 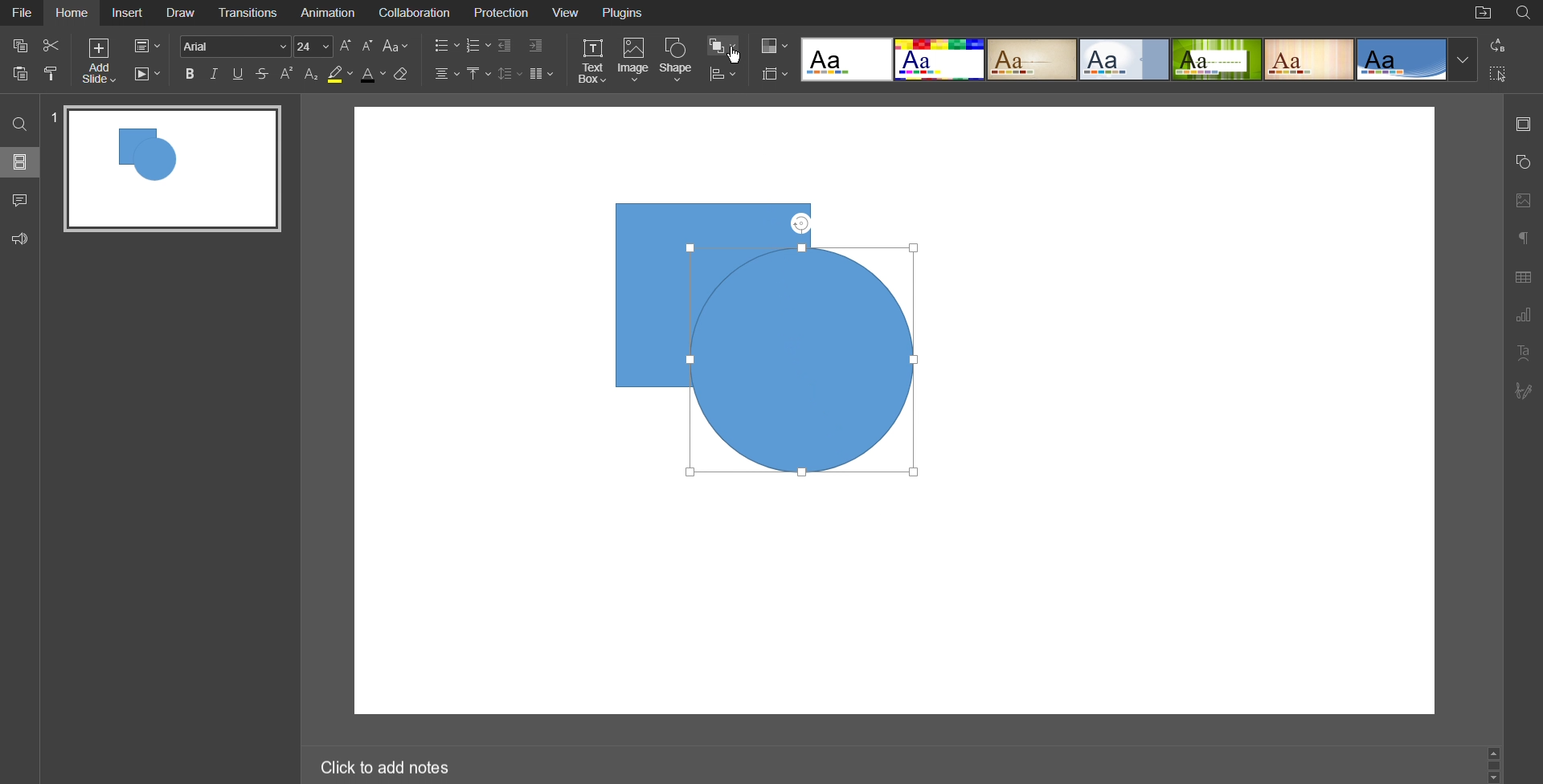 What do you see at coordinates (18, 202) in the screenshot?
I see `Comments` at bounding box center [18, 202].